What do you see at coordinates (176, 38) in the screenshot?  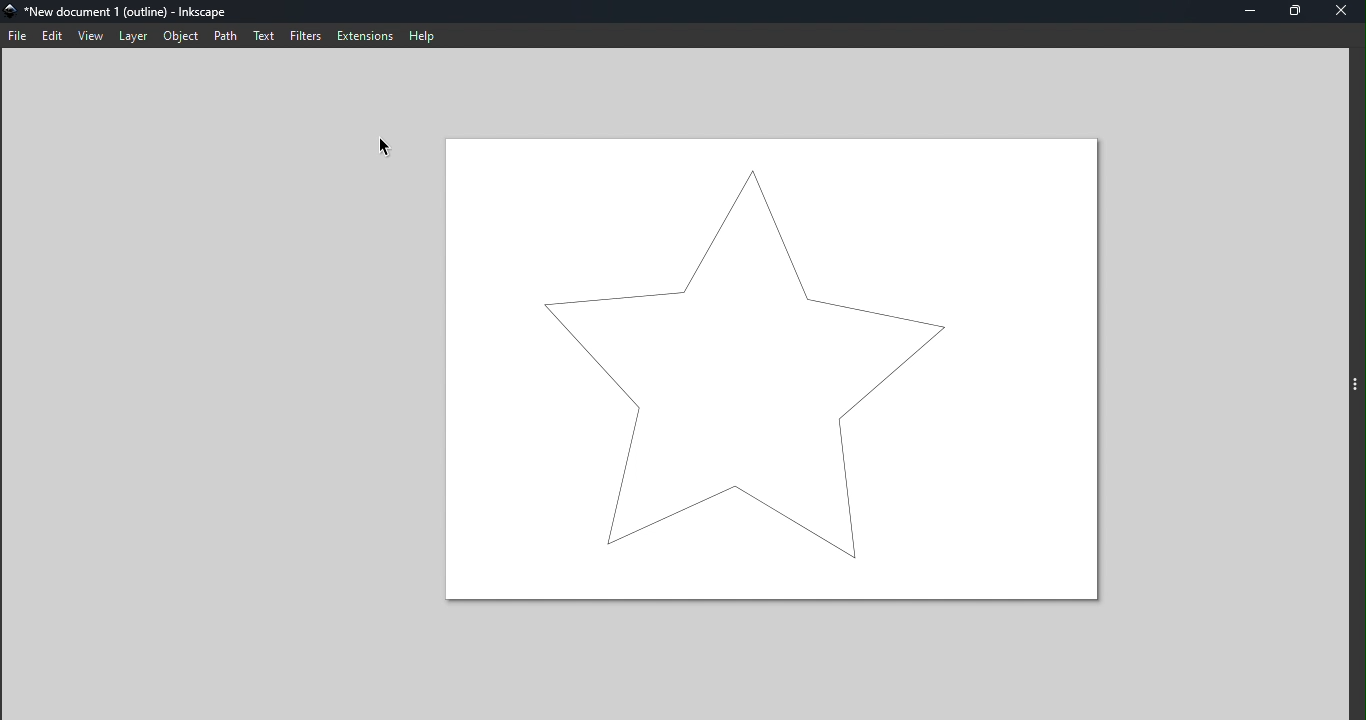 I see `Object` at bounding box center [176, 38].